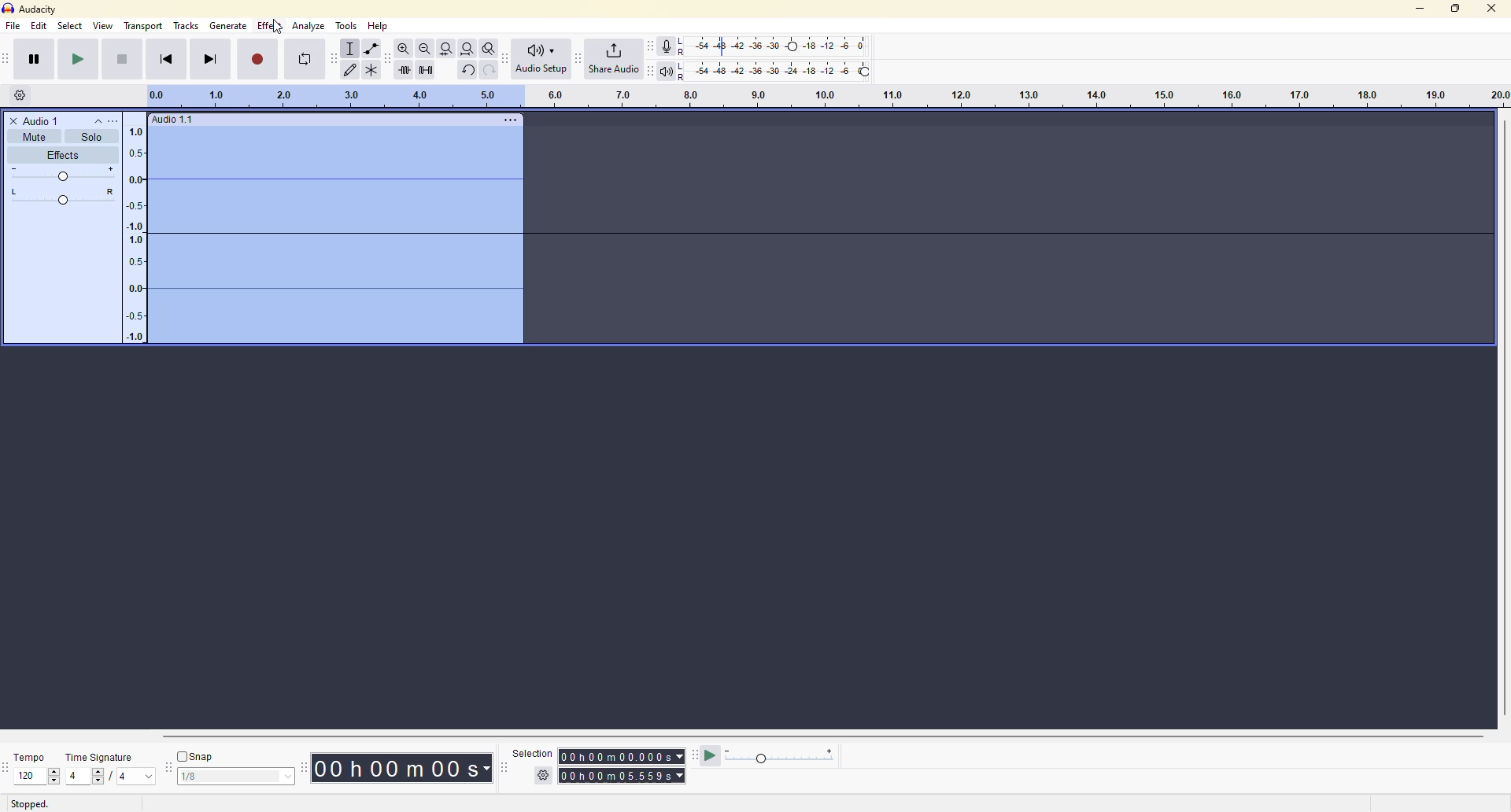  I want to click on solo, so click(91, 136).